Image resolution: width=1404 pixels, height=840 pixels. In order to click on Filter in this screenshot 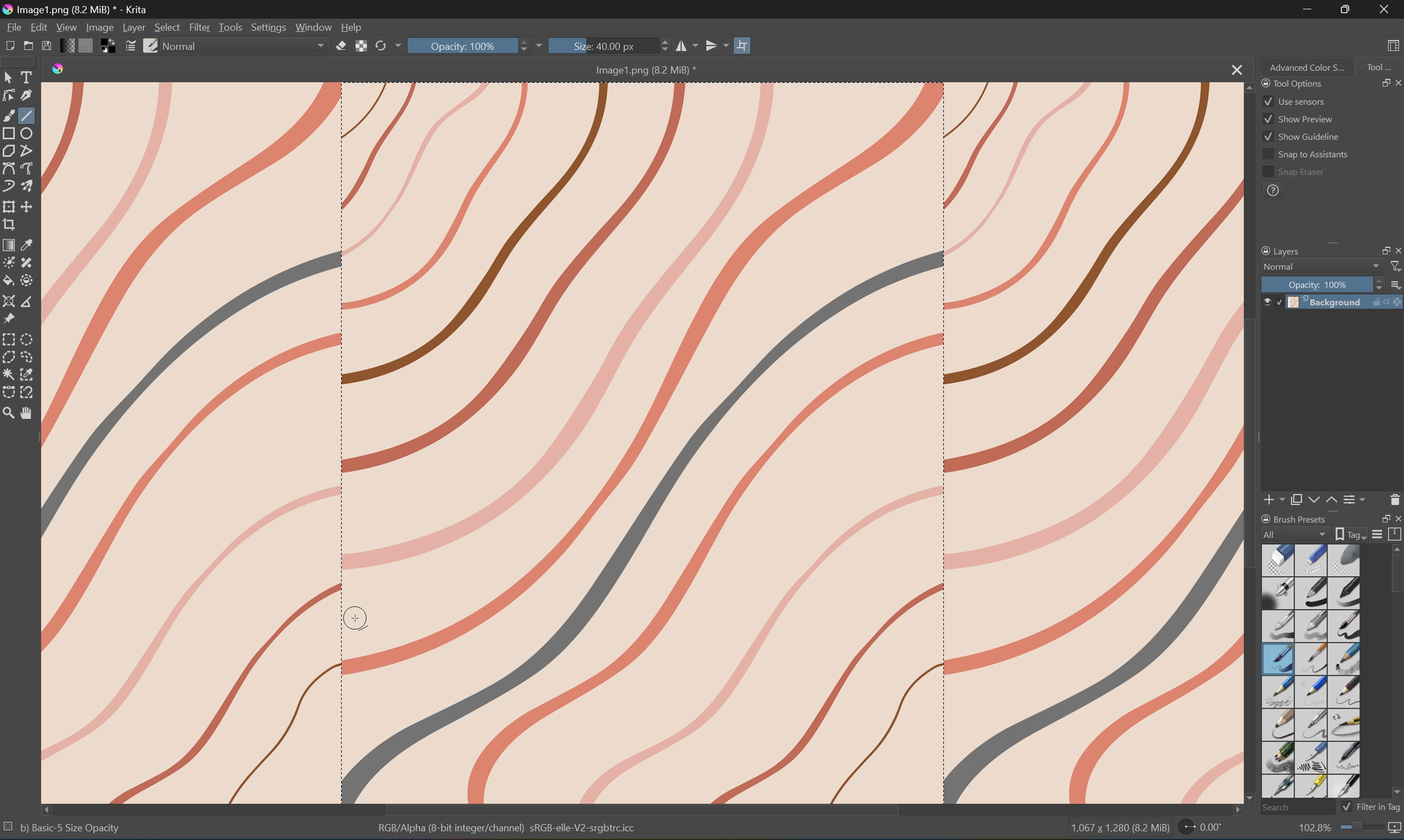, I will do `click(200, 27)`.